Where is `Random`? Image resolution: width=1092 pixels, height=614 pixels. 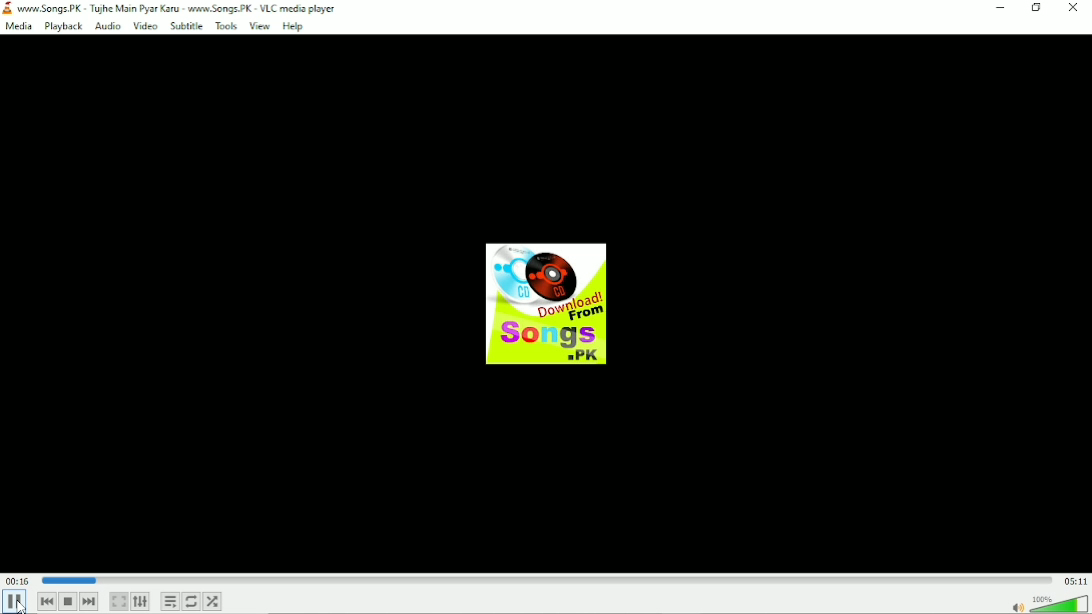 Random is located at coordinates (213, 602).